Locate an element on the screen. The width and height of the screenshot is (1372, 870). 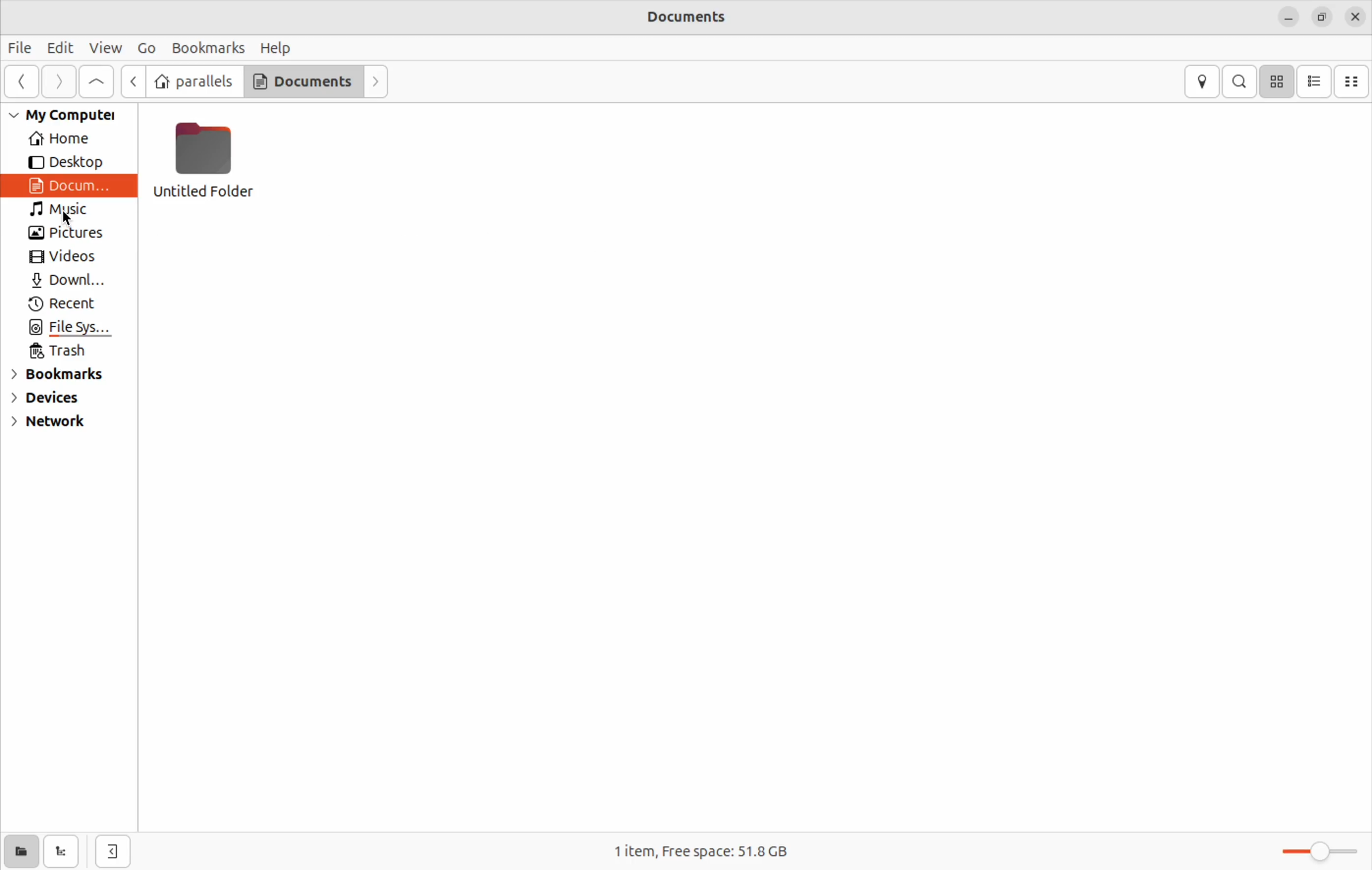
Document is located at coordinates (67, 185).